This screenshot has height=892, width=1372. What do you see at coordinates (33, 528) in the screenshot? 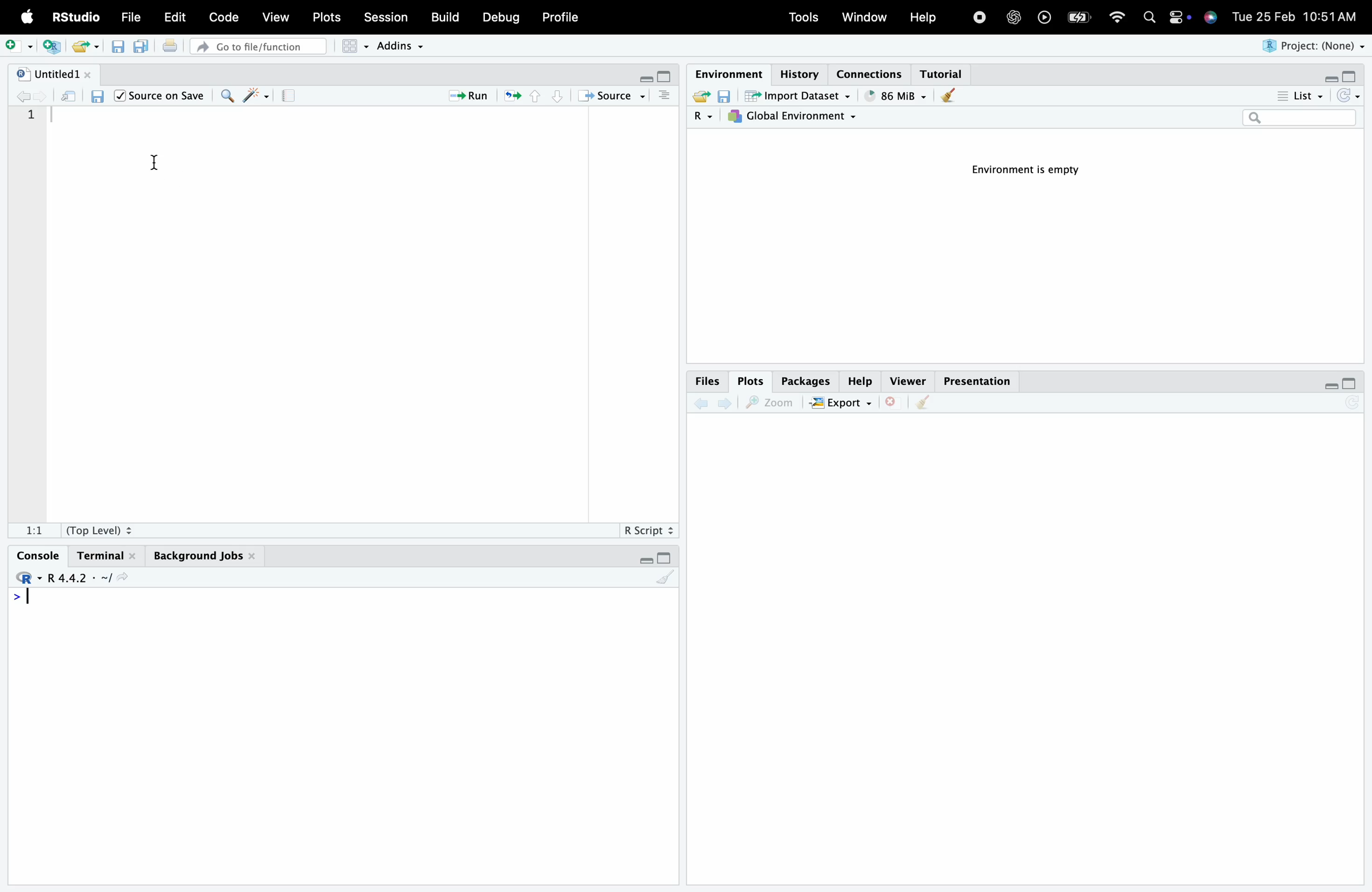
I see `1:1` at bounding box center [33, 528].